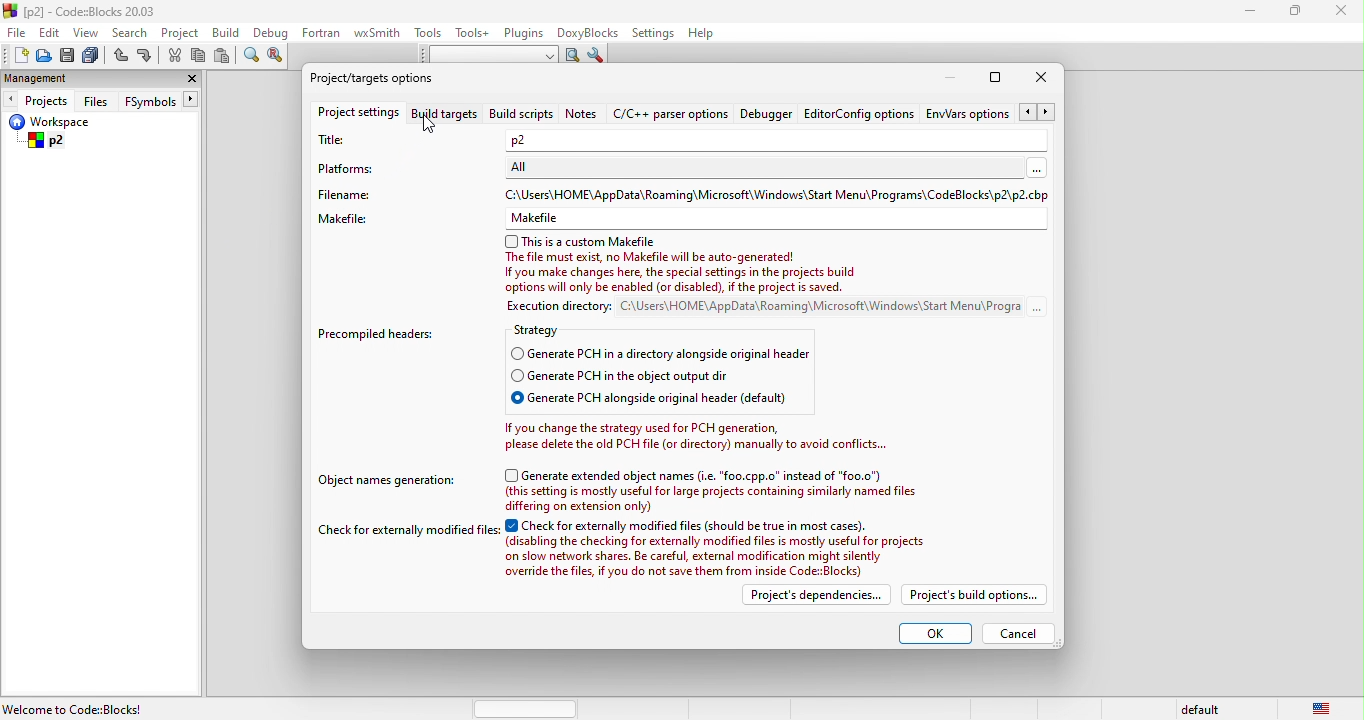 The width and height of the screenshot is (1364, 720). I want to click on generate pch in the object output dir, so click(670, 377).